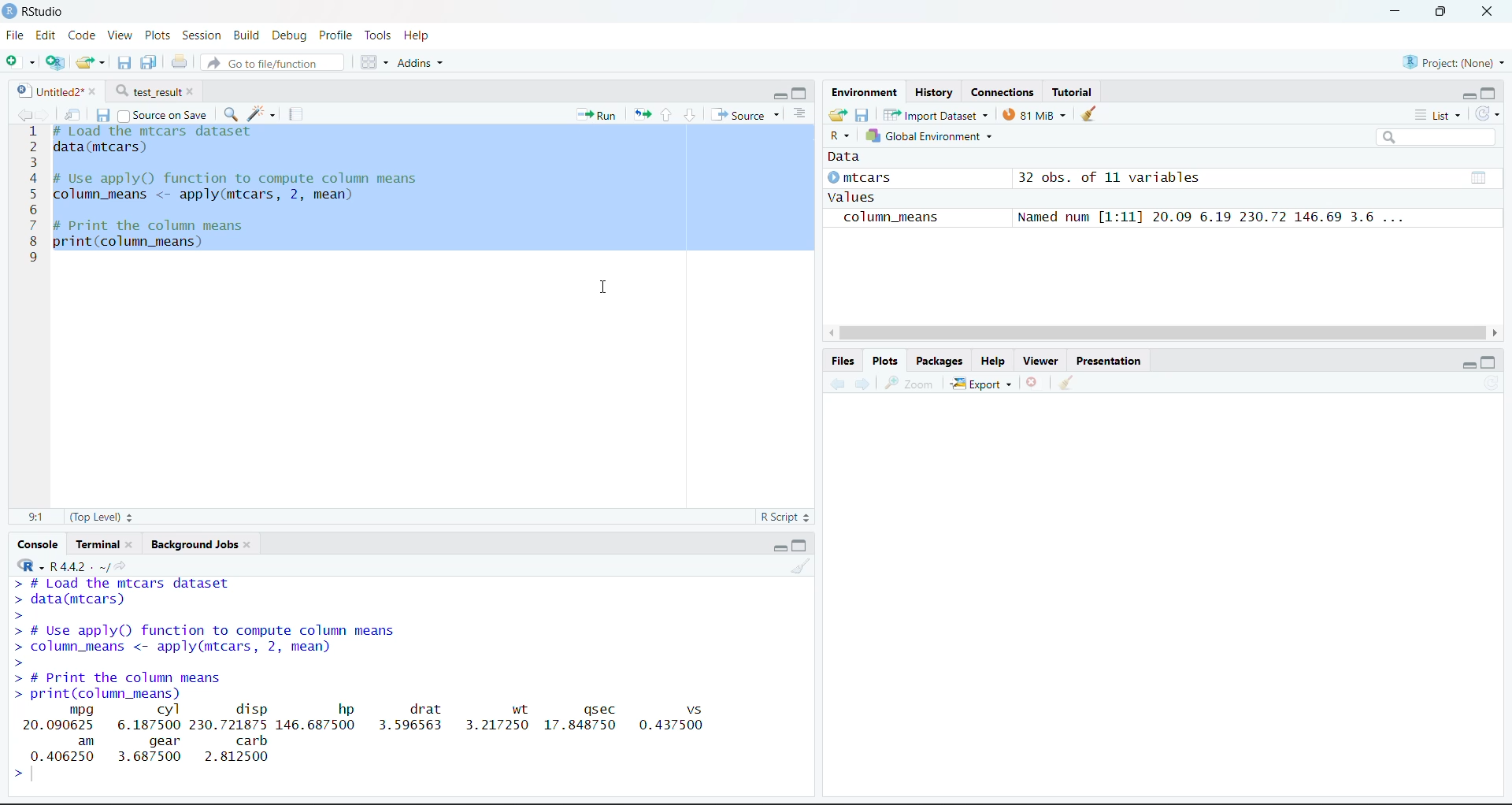 Image resolution: width=1512 pixels, height=805 pixels. I want to click on Go to previous section/chunk (Ctrl + PgUp), so click(669, 117).